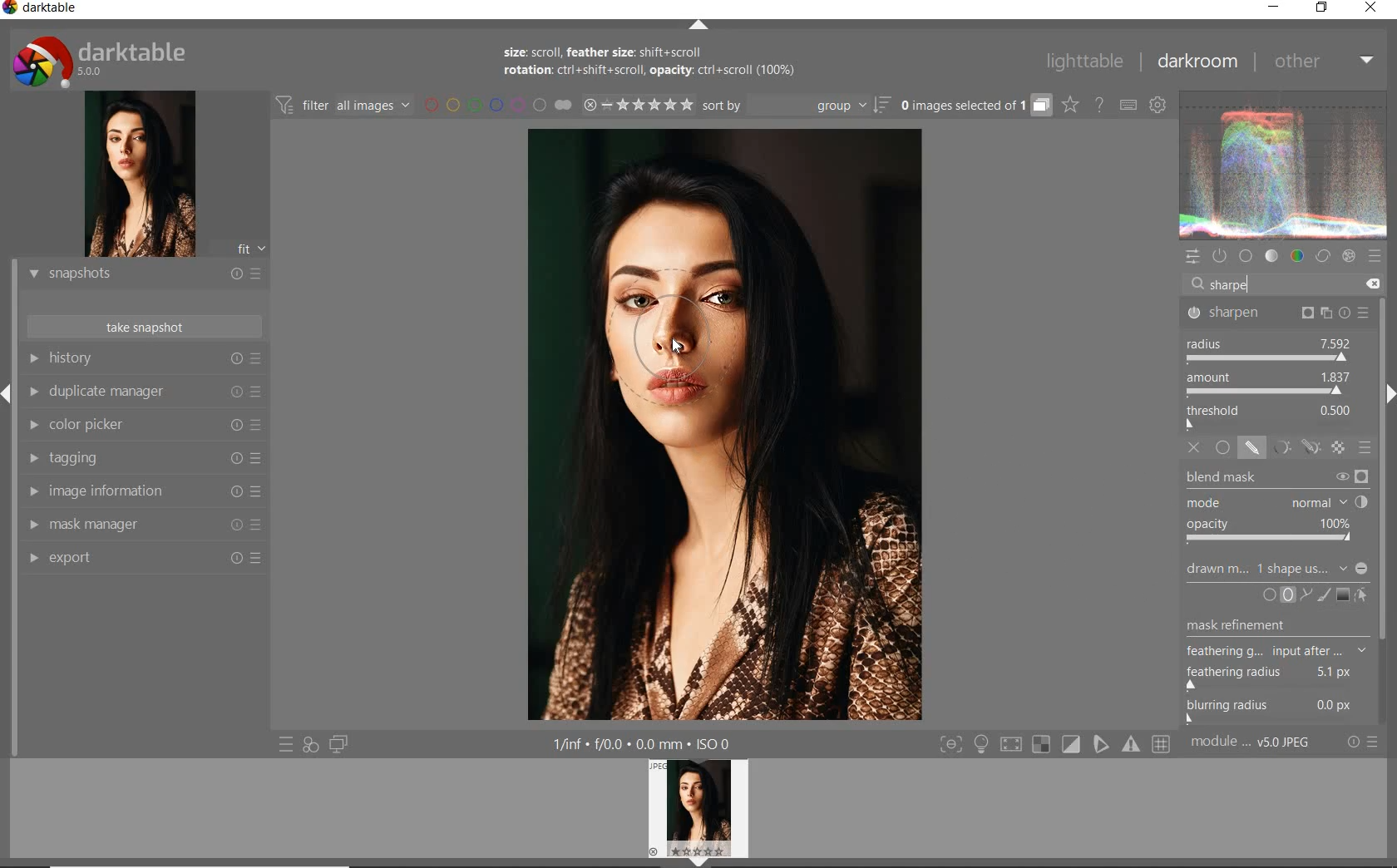 This screenshot has height=868, width=1397. Describe the element at coordinates (497, 104) in the screenshot. I see `filter by image color` at that location.